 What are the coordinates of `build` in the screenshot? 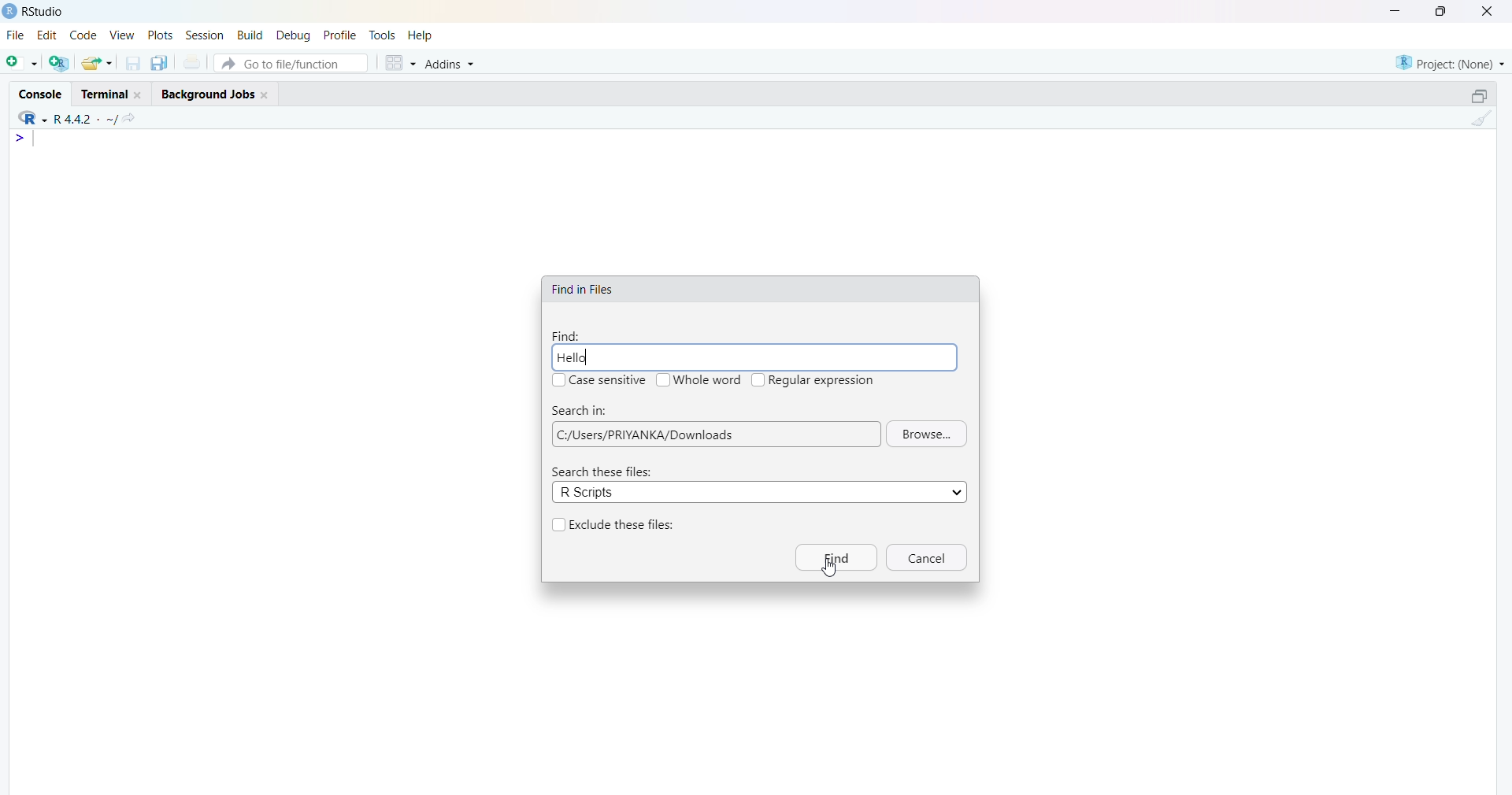 It's located at (252, 35).